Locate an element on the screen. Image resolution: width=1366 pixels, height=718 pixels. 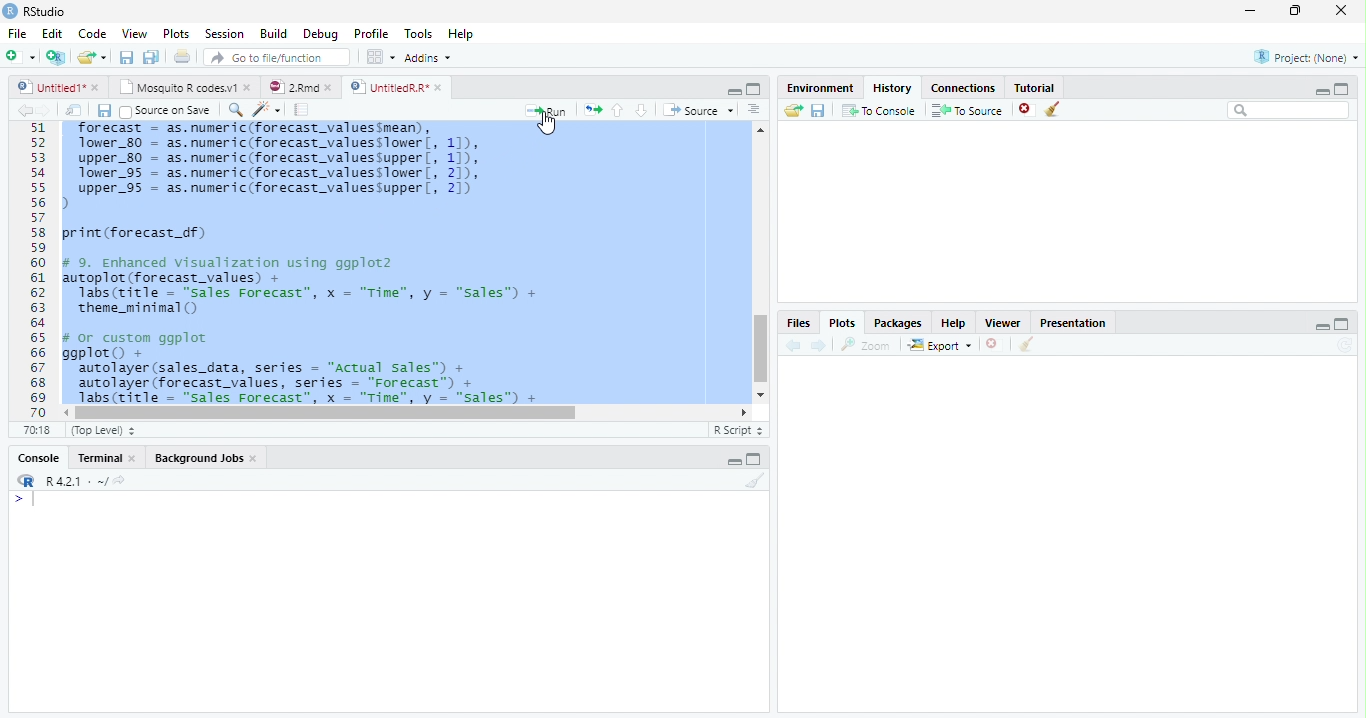
Packages is located at coordinates (899, 324).